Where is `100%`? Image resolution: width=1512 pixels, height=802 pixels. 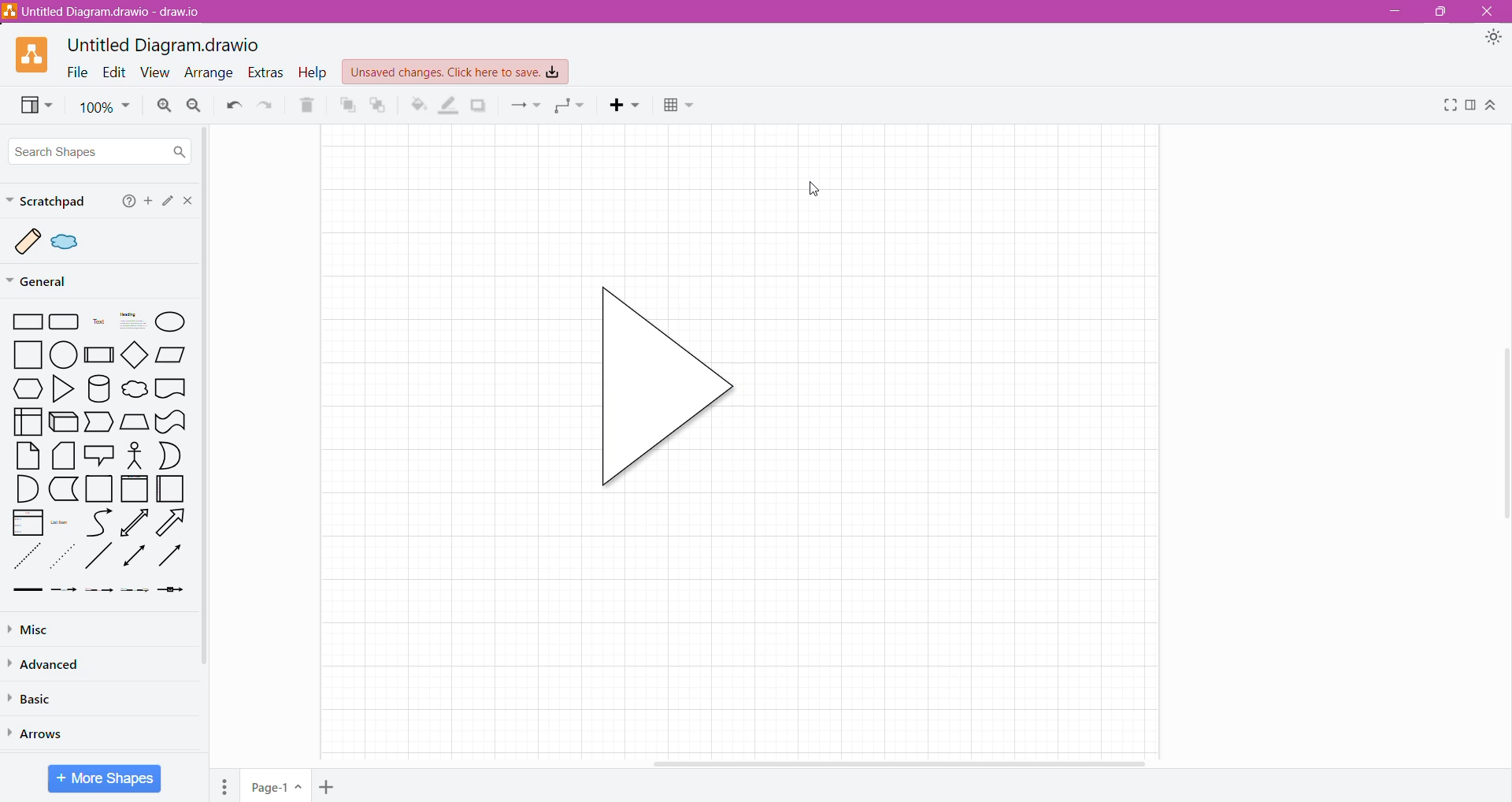
100% is located at coordinates (104, 108).